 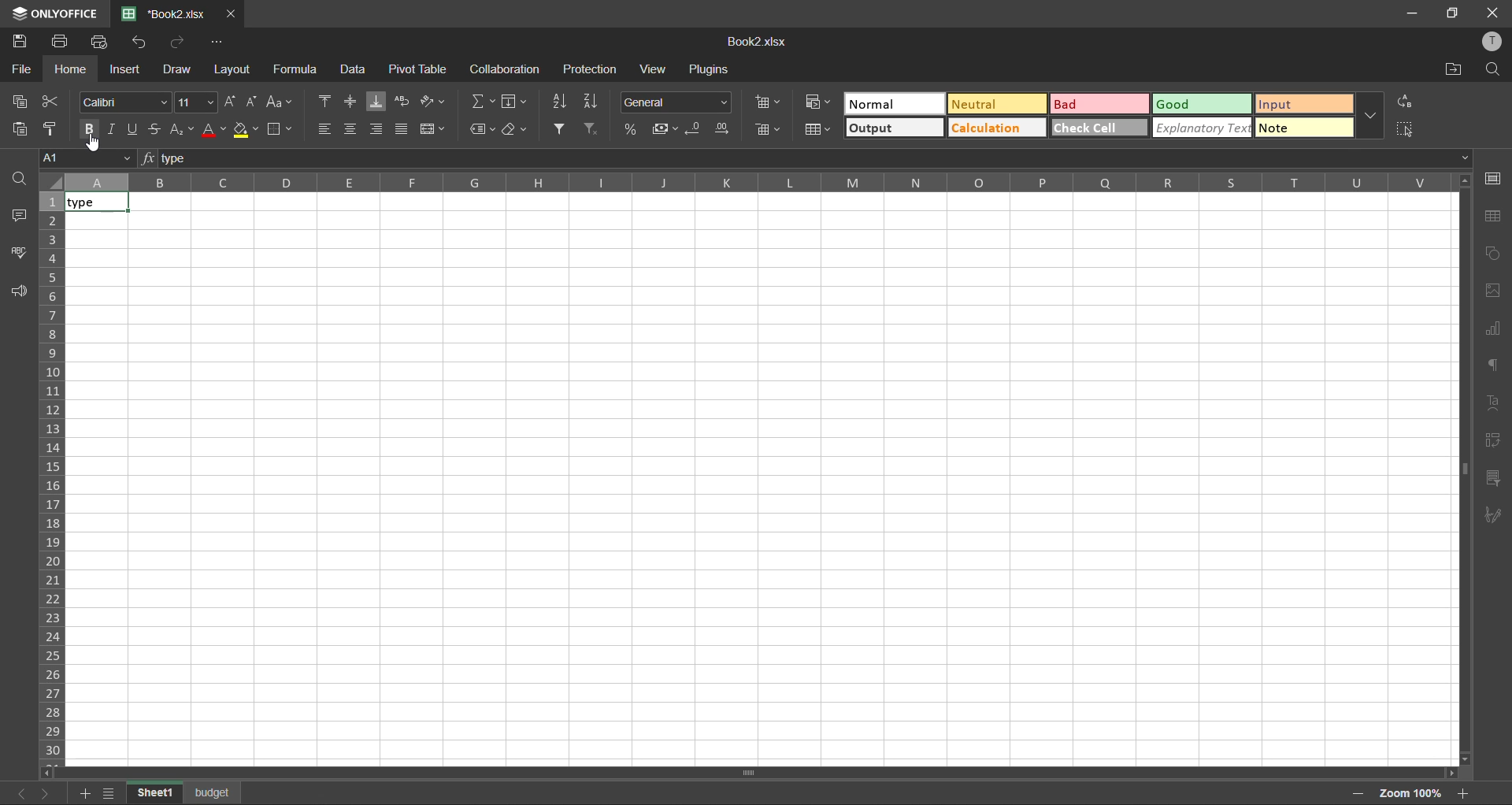 What do you see at coordinates (893, 128) in the screenshot?
I see `output` at bounding box center [893, 128].